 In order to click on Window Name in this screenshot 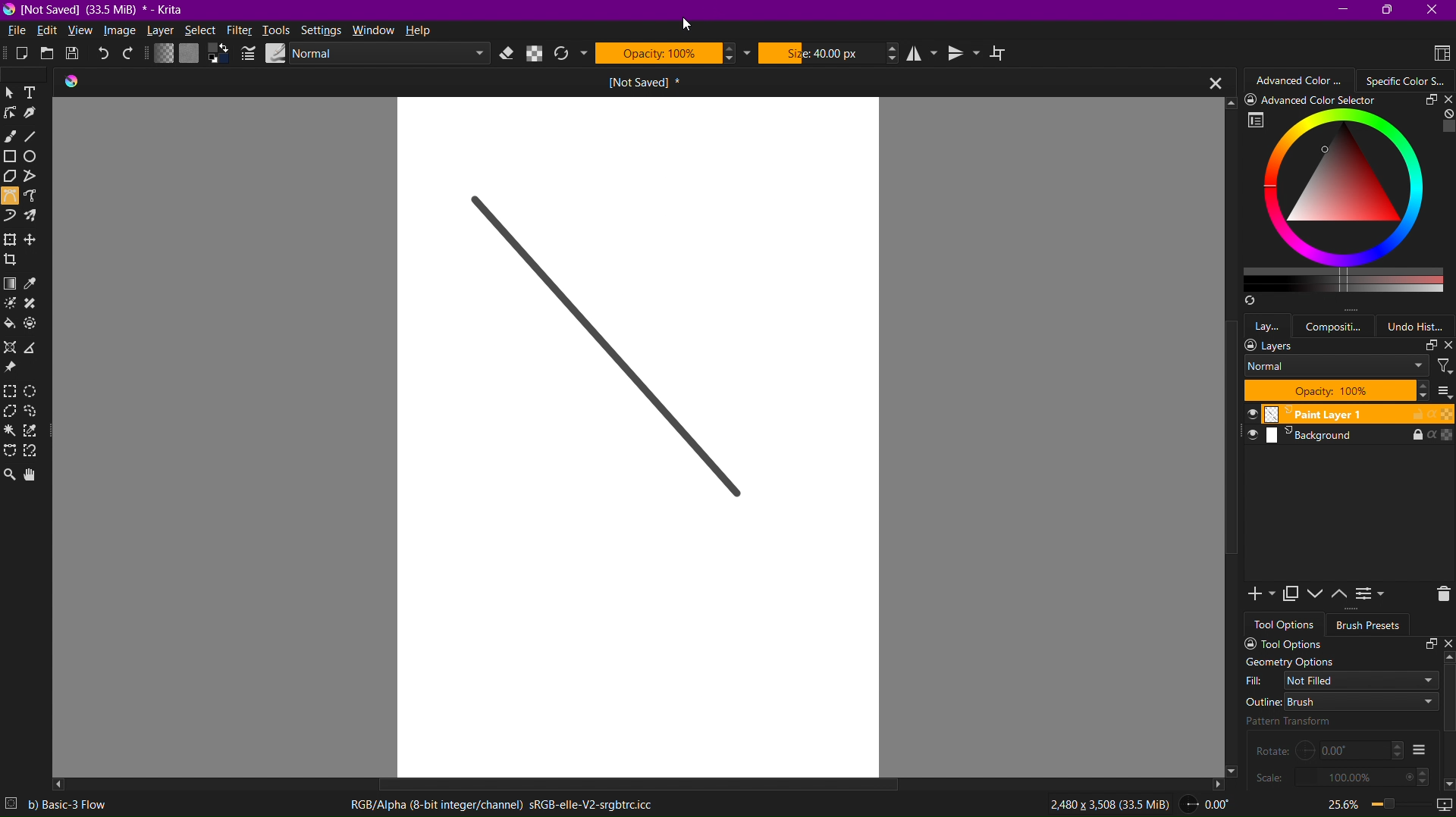, I will do `click(99, 10)`.